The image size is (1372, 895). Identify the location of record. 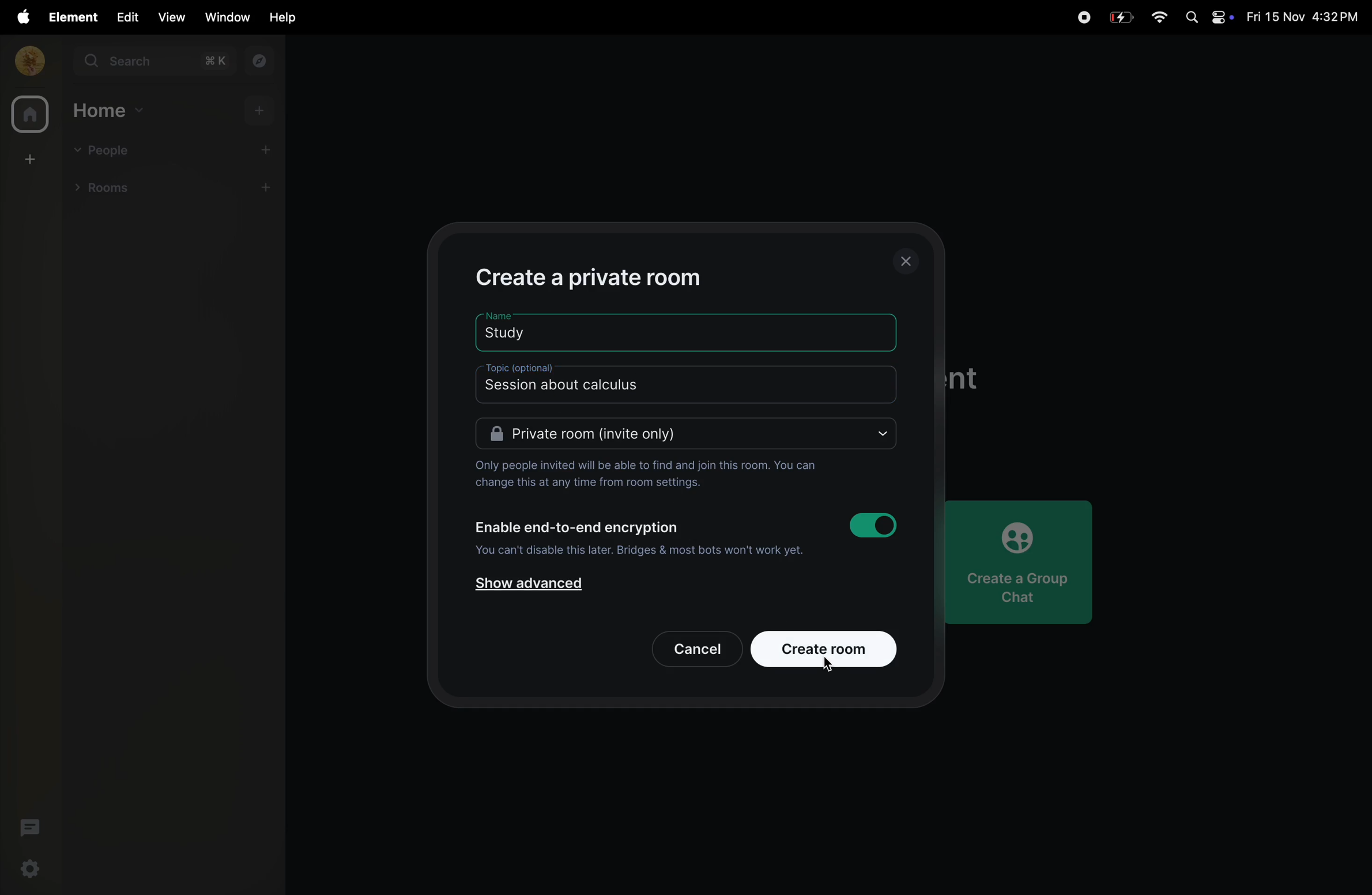
(1083, 16).